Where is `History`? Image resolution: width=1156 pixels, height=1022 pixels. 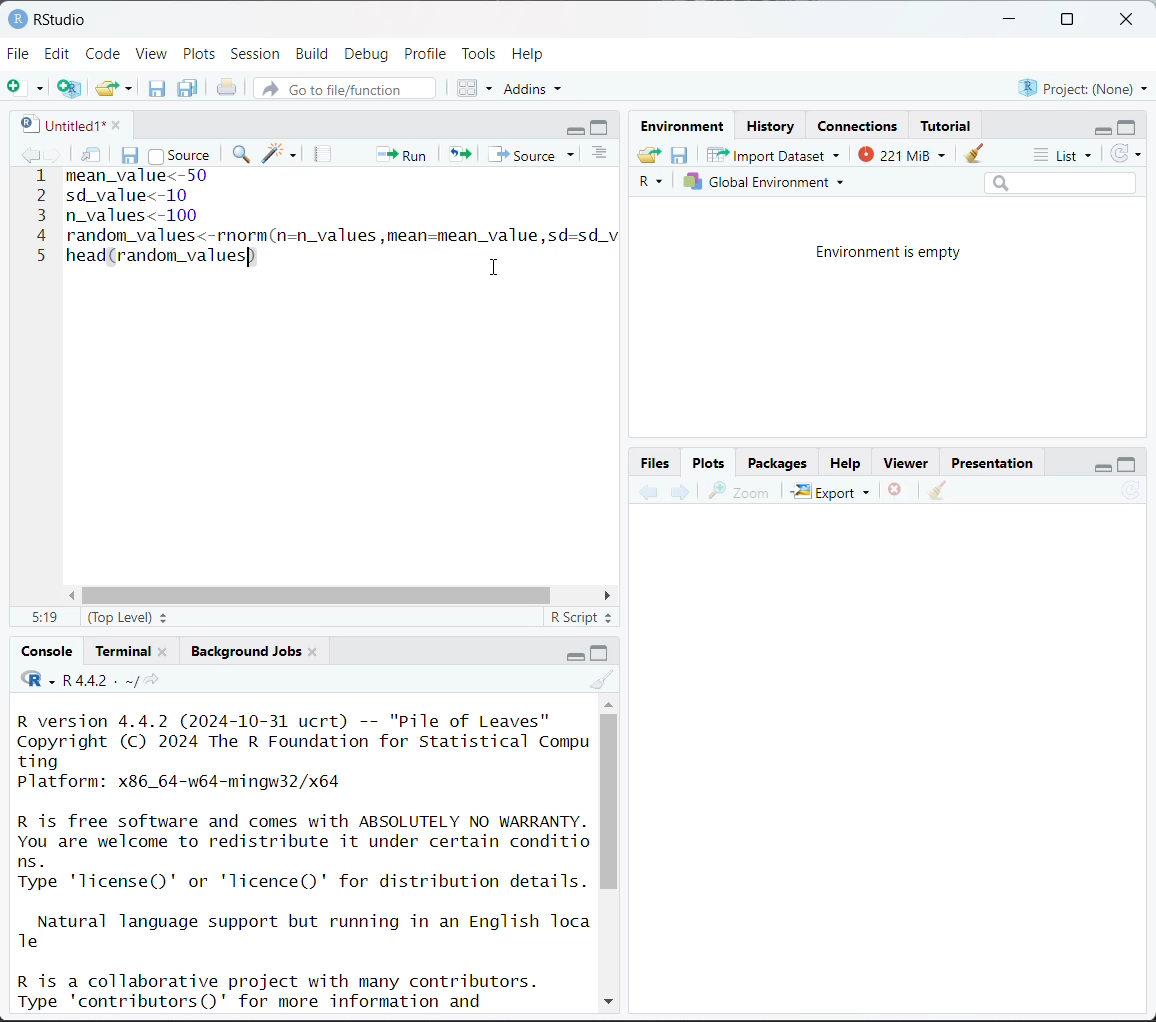
History is located at coordinates (772, 126).